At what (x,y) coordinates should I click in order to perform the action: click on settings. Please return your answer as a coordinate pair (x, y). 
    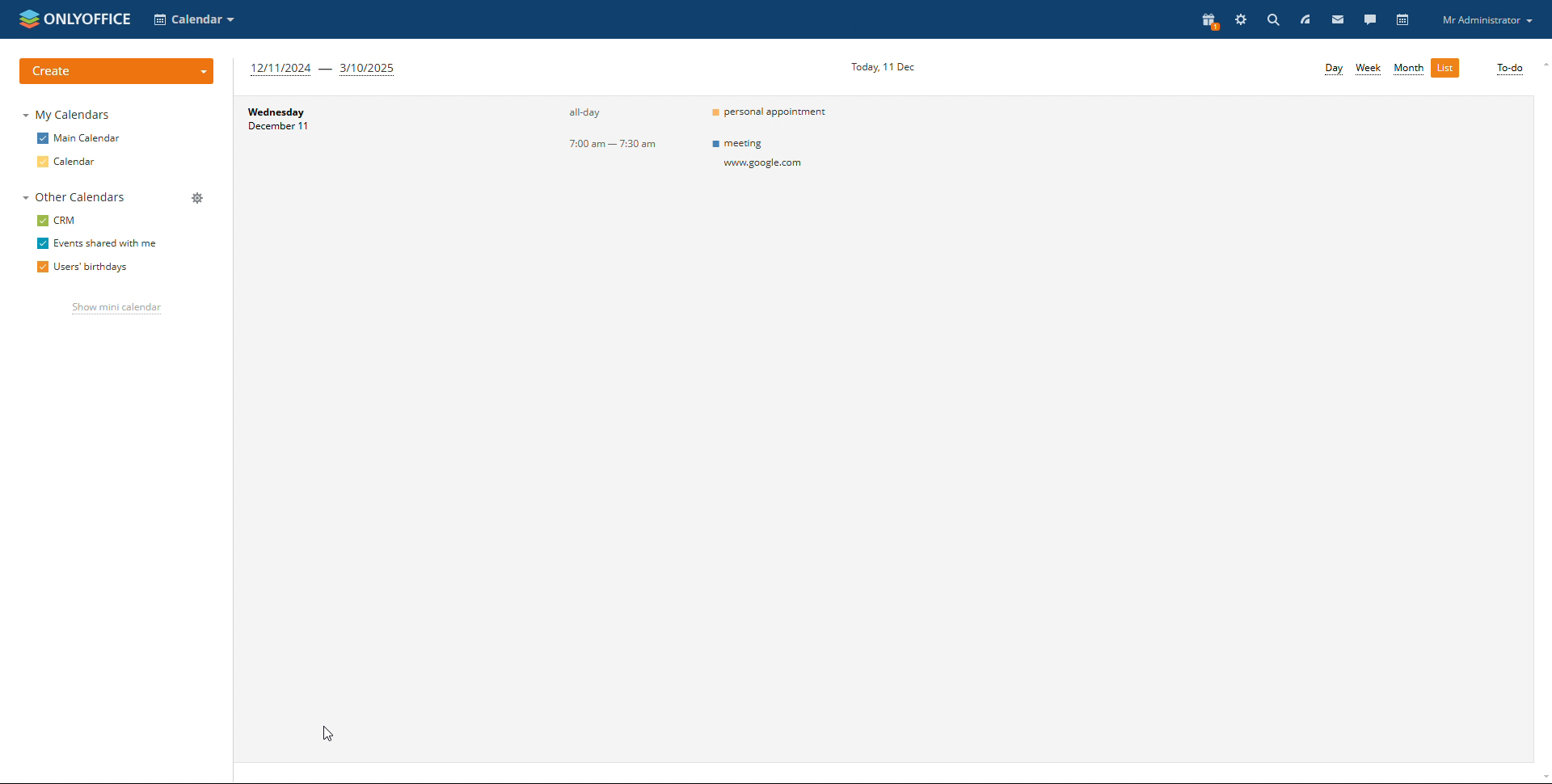
    Looking at the image, I should click on (1242, 19).